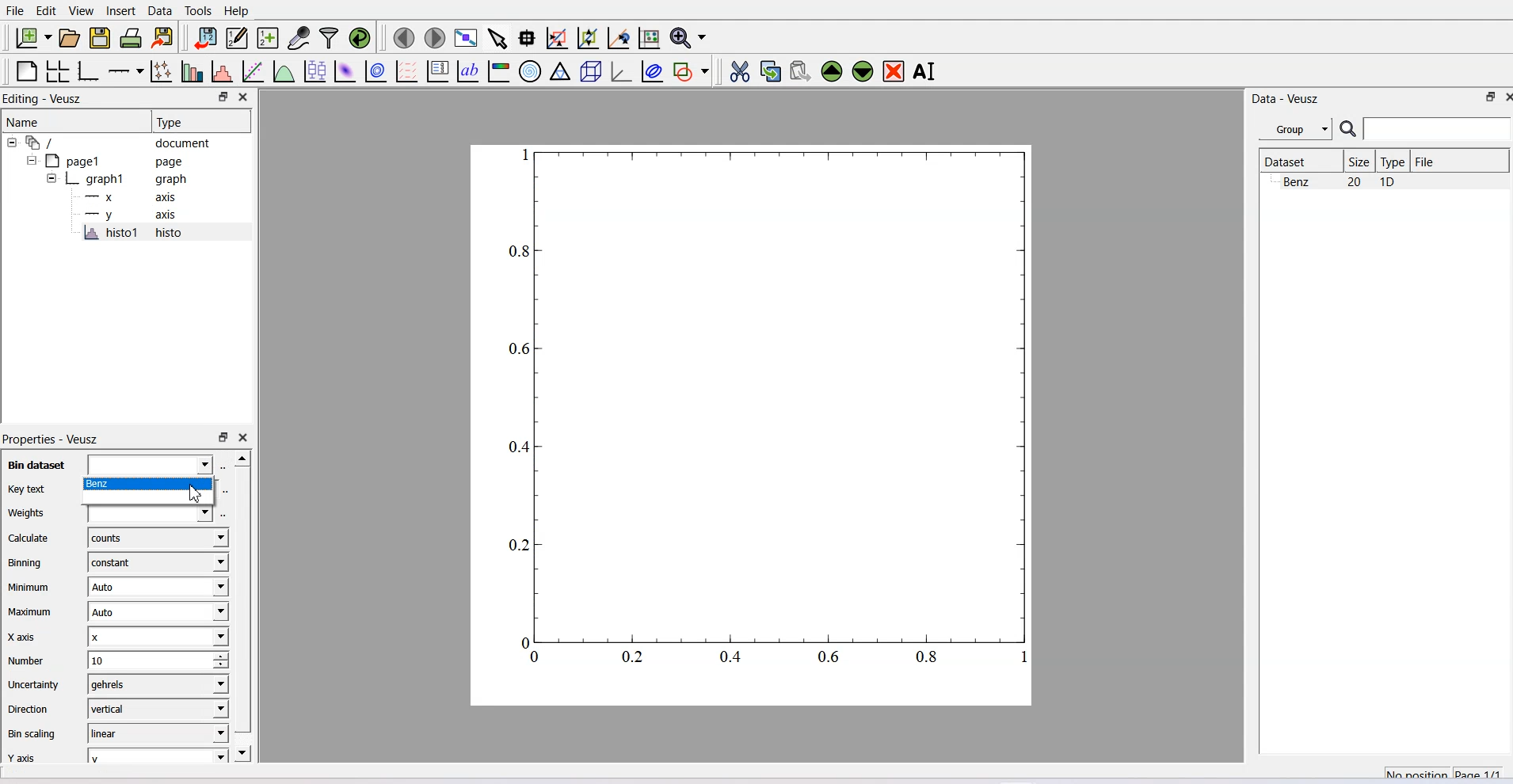 The height and width of the screenshot is (784, 1513). I want to click on Move to the previous page, so click(403, 38).